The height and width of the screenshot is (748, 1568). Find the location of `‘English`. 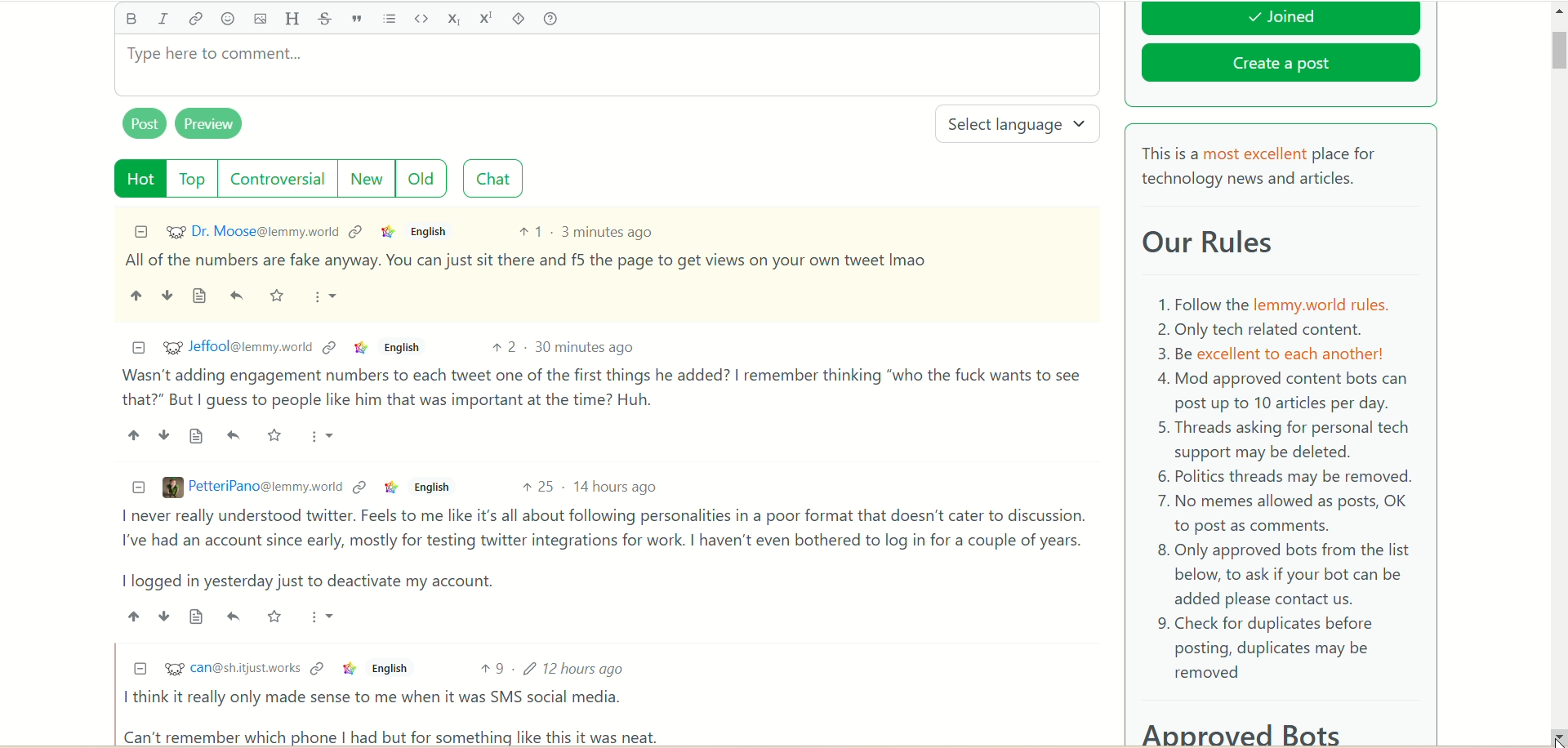

‘English is located at coordinates (387, 669).